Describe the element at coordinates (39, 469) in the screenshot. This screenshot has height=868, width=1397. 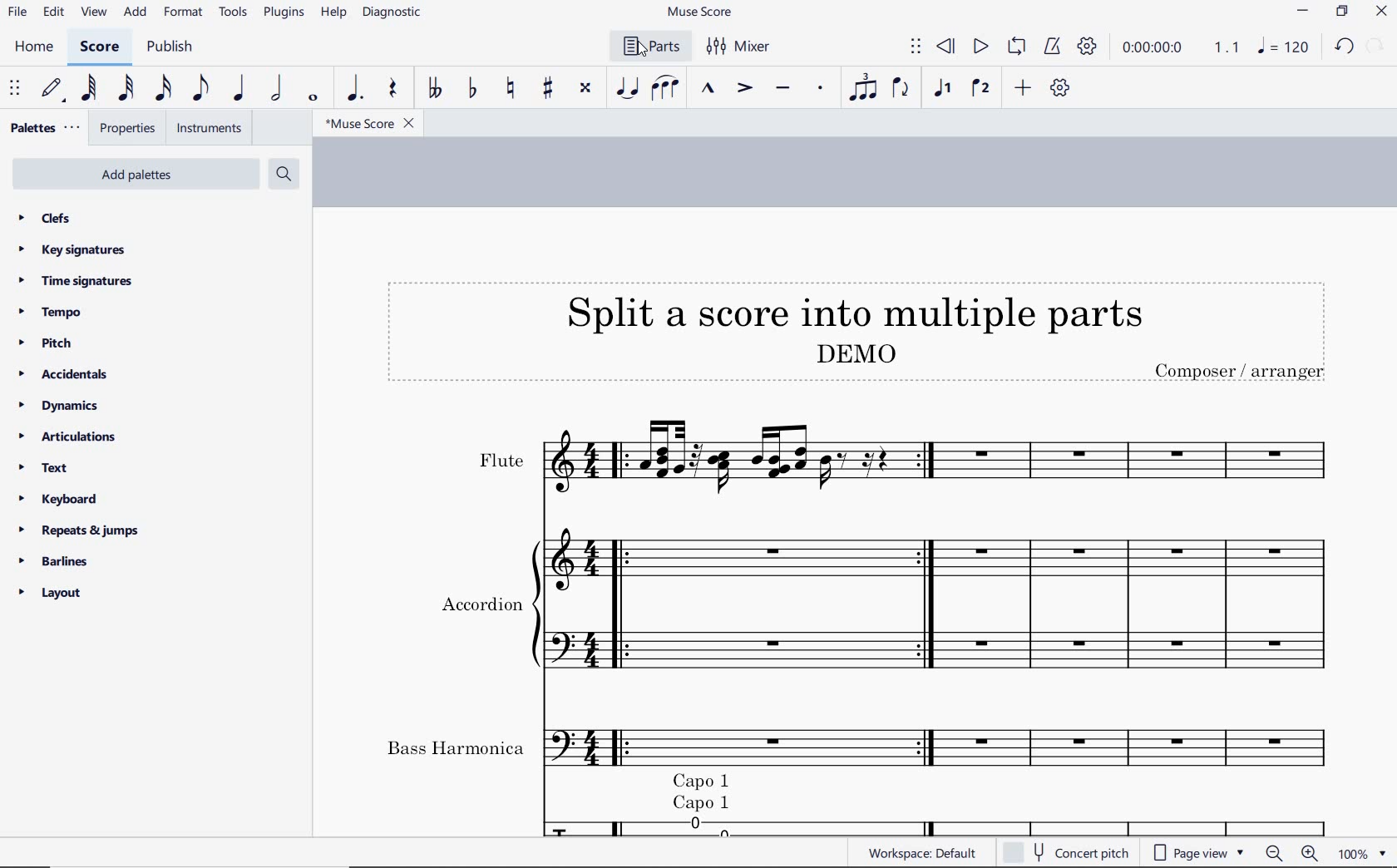
I see `text` at that location.